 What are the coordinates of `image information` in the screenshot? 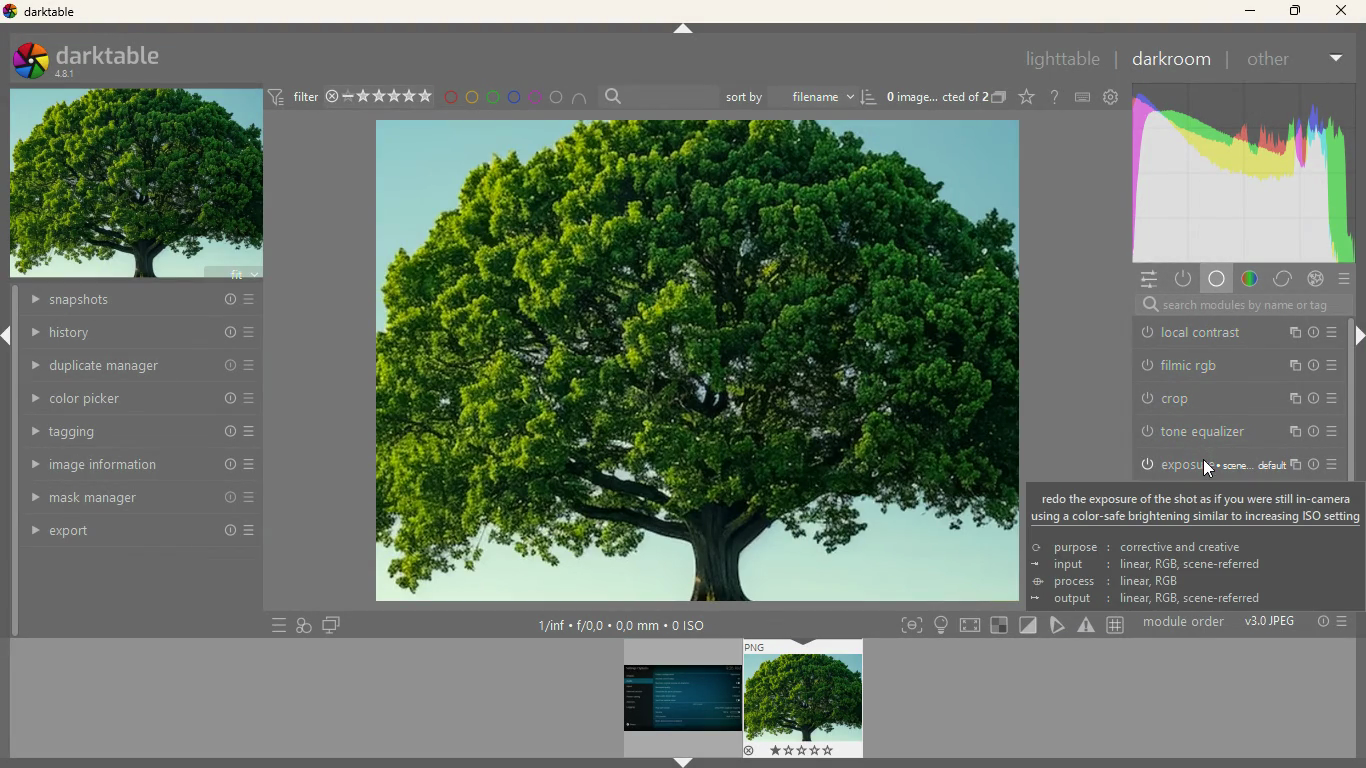 It's located at (626, 625).